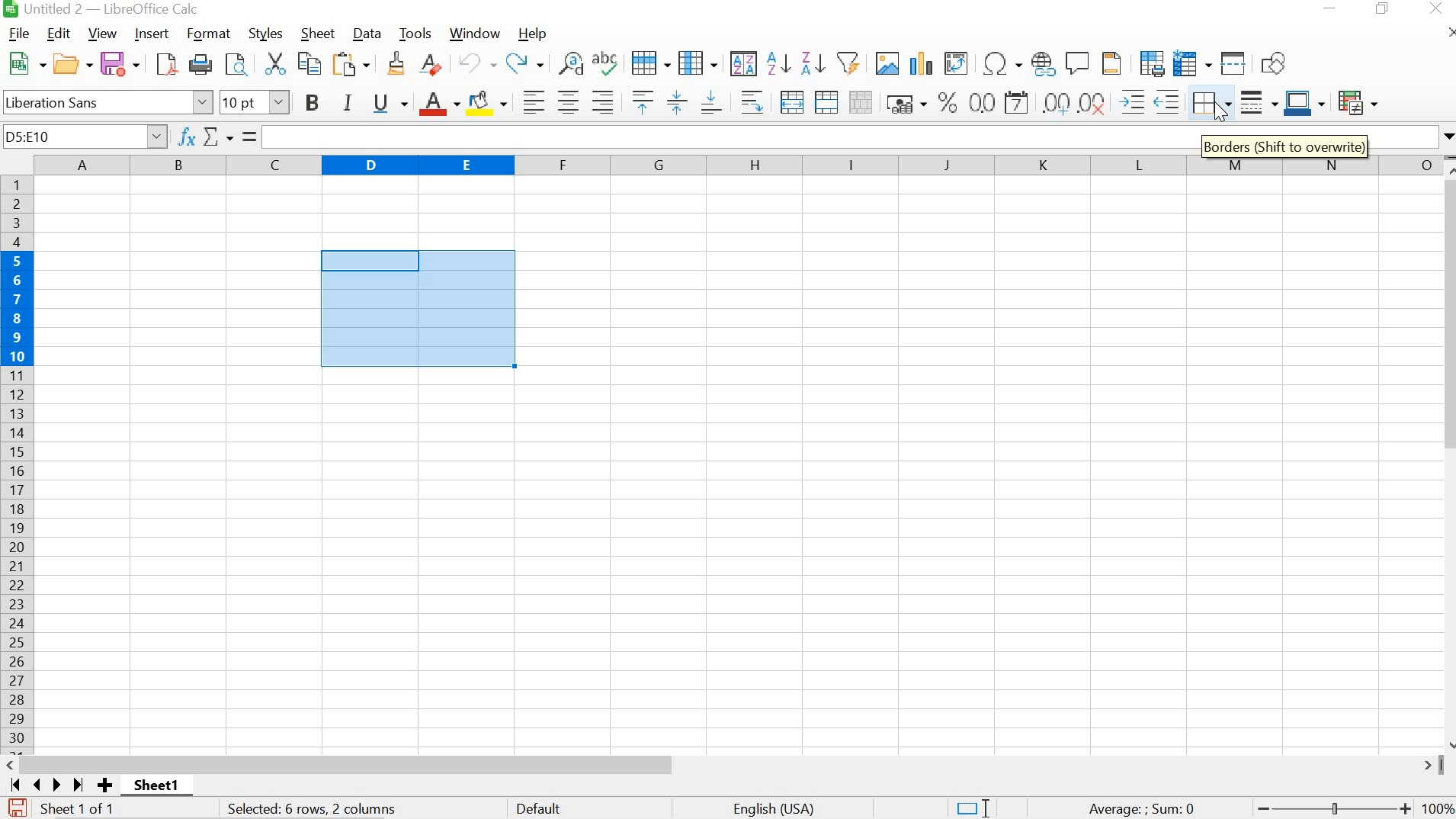 The height and width of the screenshot is (819, 1456). Describe the element at coordinates (535, 101) in the screenshot. I see `ALIGN LEFT` at that location.